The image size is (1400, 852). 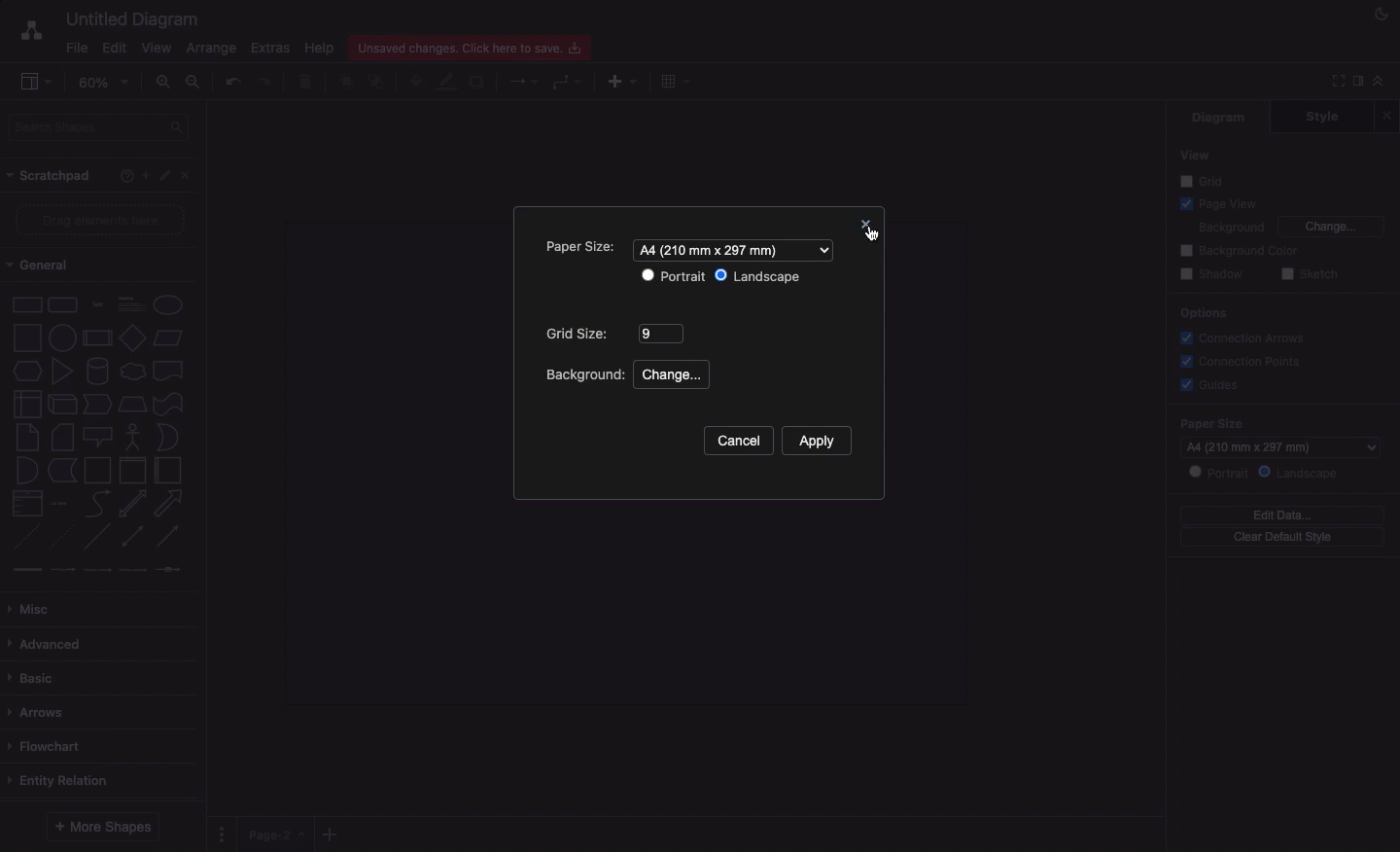 What do you see at coordinates (673, 375) in the screenshot?
I see `Change` at bounding box center [673, 375].